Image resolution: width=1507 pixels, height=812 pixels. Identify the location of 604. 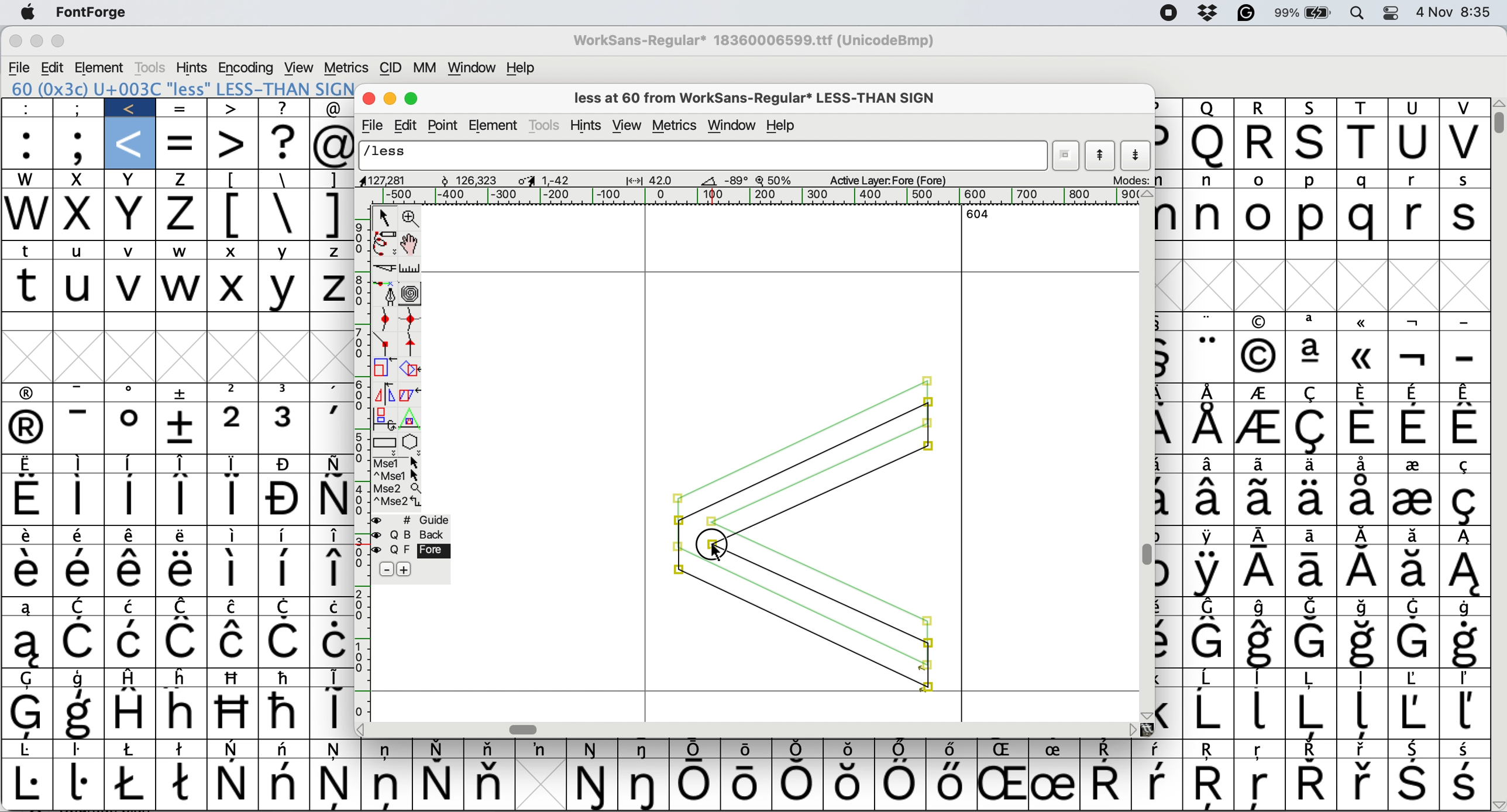
(973, 215).